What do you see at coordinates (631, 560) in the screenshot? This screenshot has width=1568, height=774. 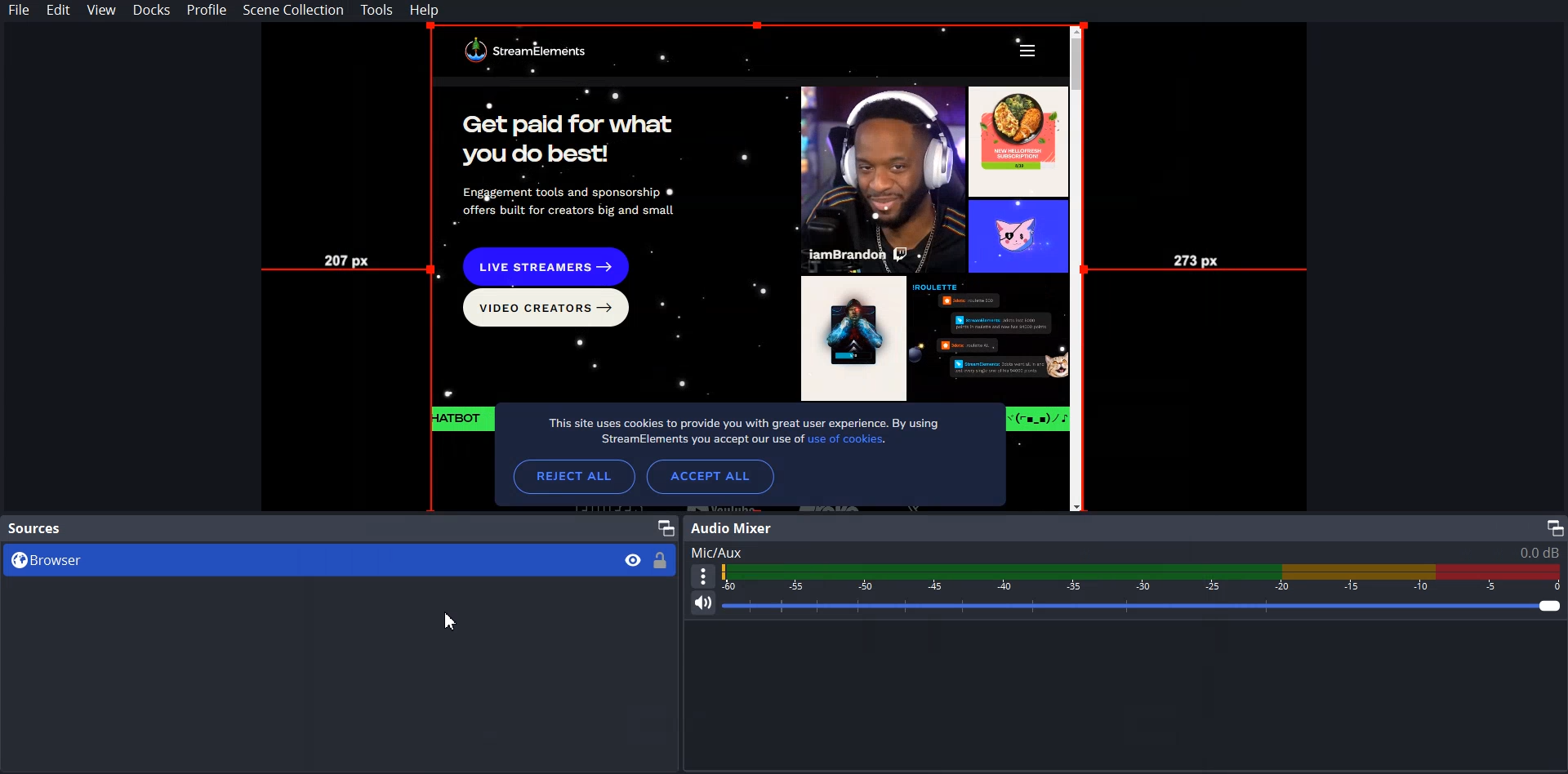 I see `Eye` at bounding box center [631, 560].